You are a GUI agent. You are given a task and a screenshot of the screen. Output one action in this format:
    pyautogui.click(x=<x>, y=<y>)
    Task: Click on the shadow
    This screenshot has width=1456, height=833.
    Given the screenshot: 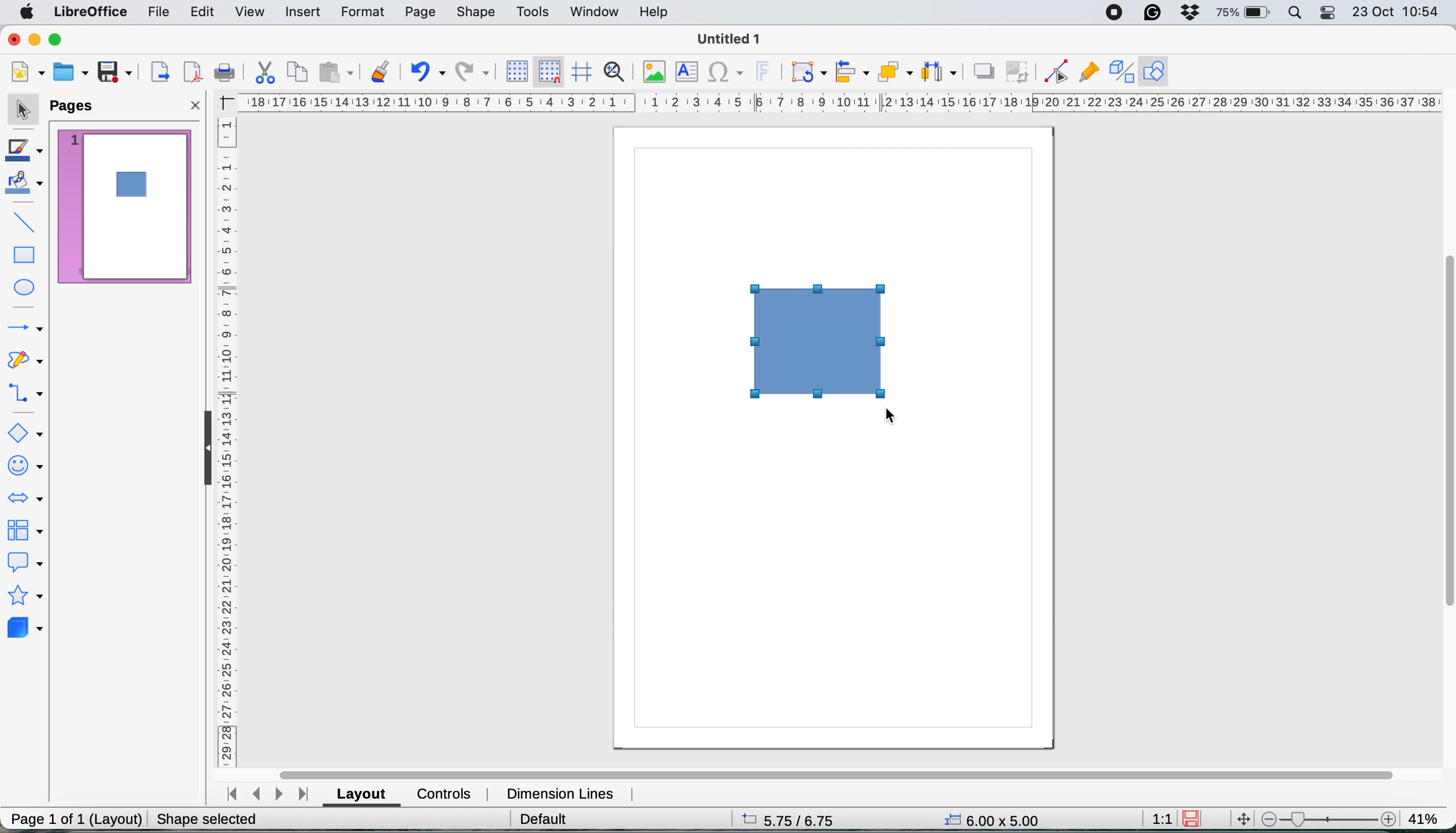 What is the action you would take?
    pyautogui.click(x=984, y=71)
    